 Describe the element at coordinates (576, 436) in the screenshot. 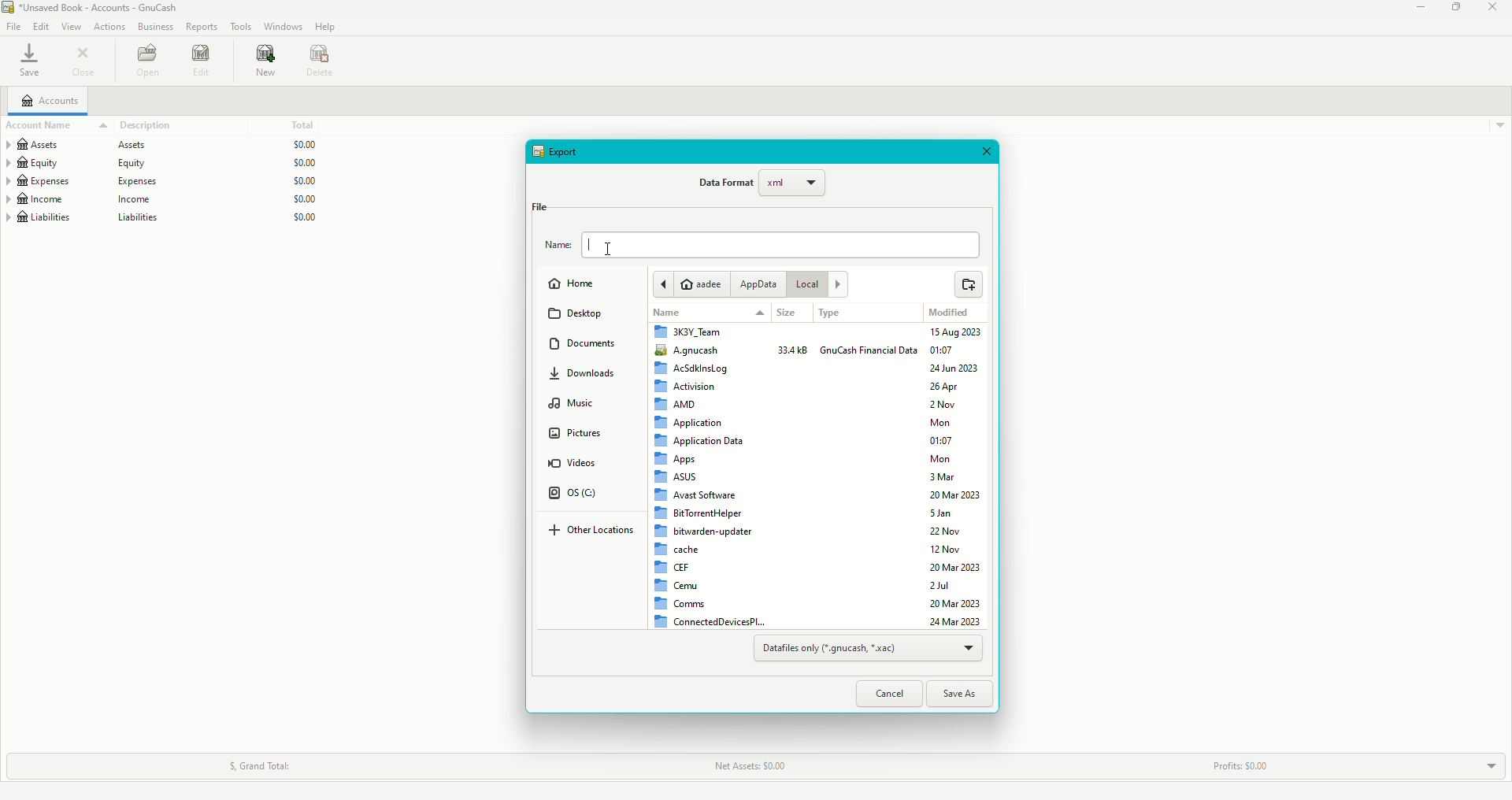

I see `Pictures` at that location.